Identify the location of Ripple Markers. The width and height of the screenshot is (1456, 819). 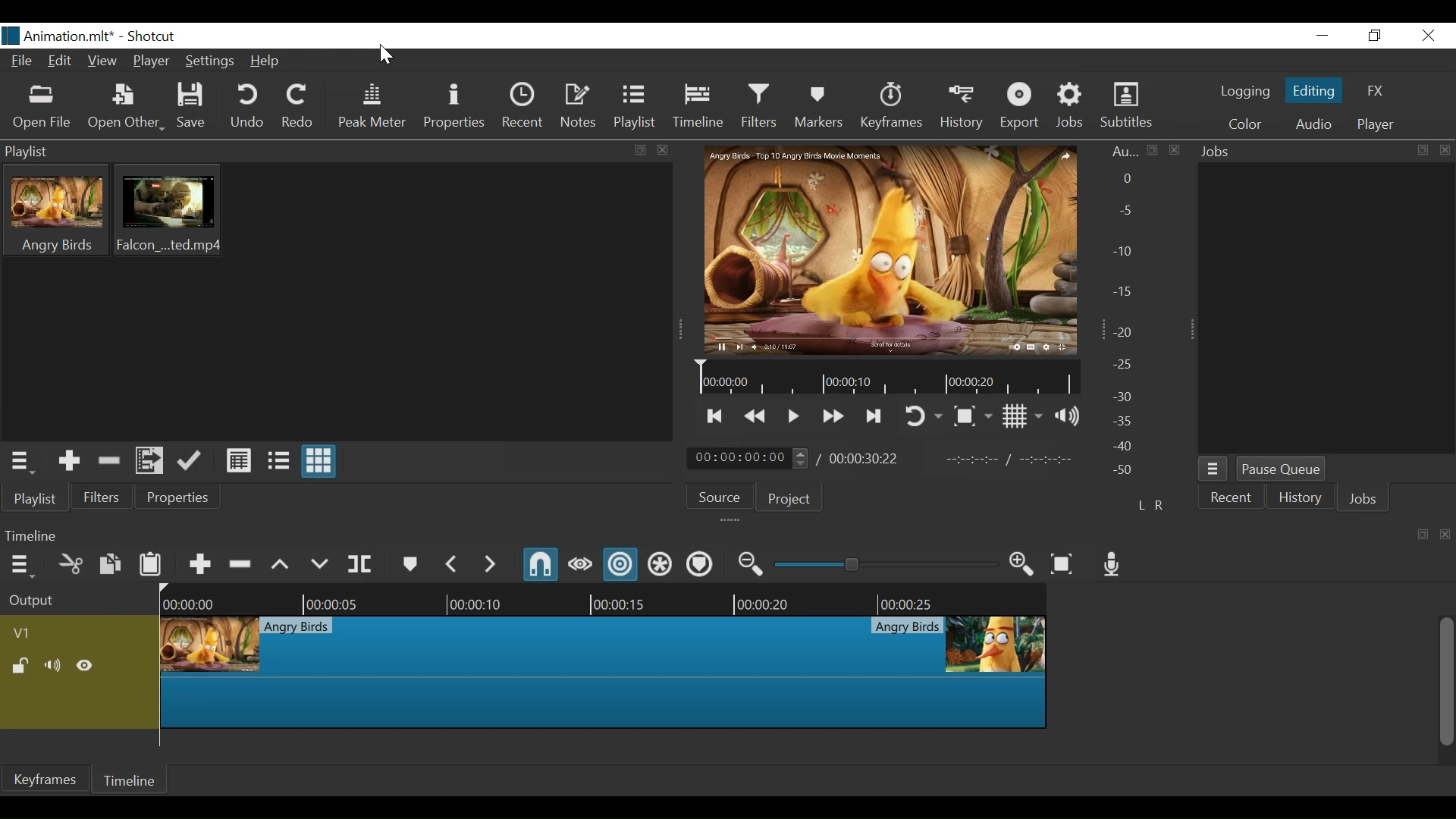
(700, 564).